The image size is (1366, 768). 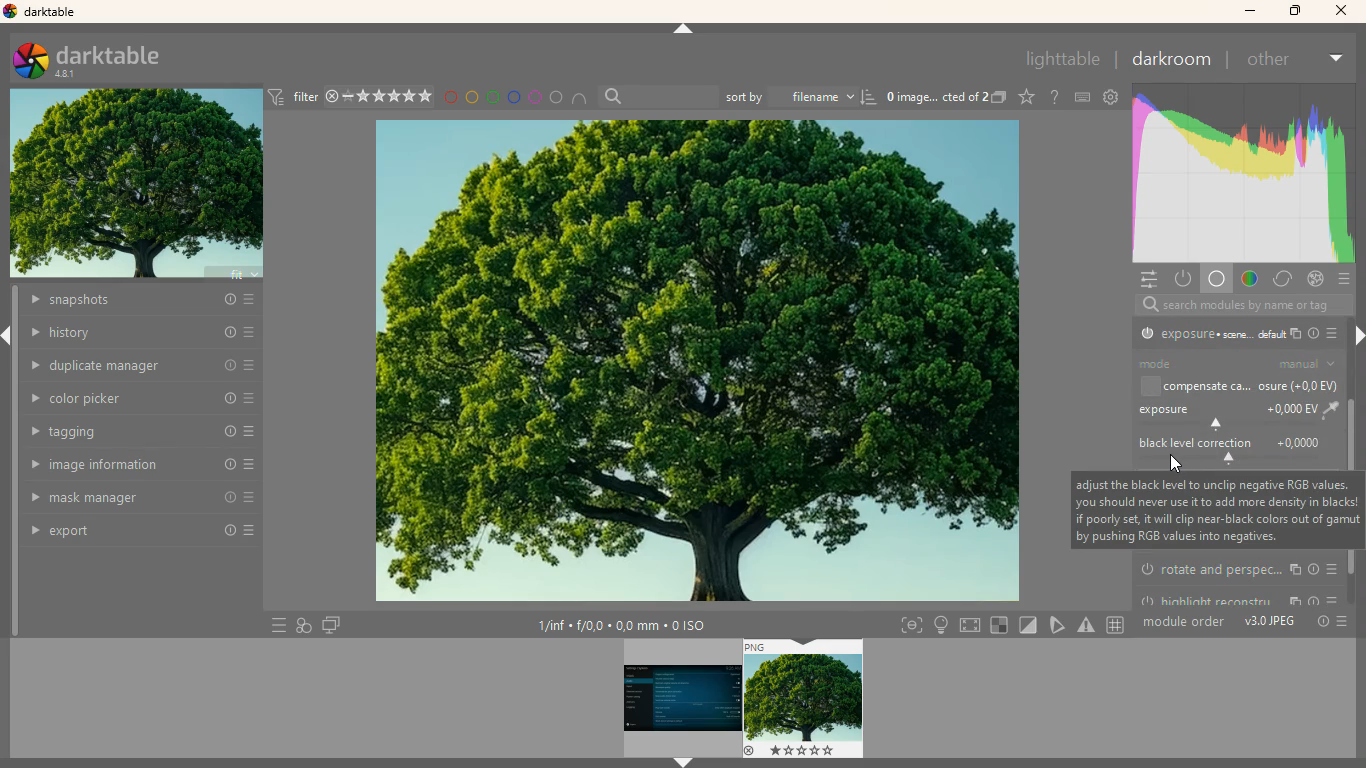 I want to click on mask manager, so click(x=137, y=500).